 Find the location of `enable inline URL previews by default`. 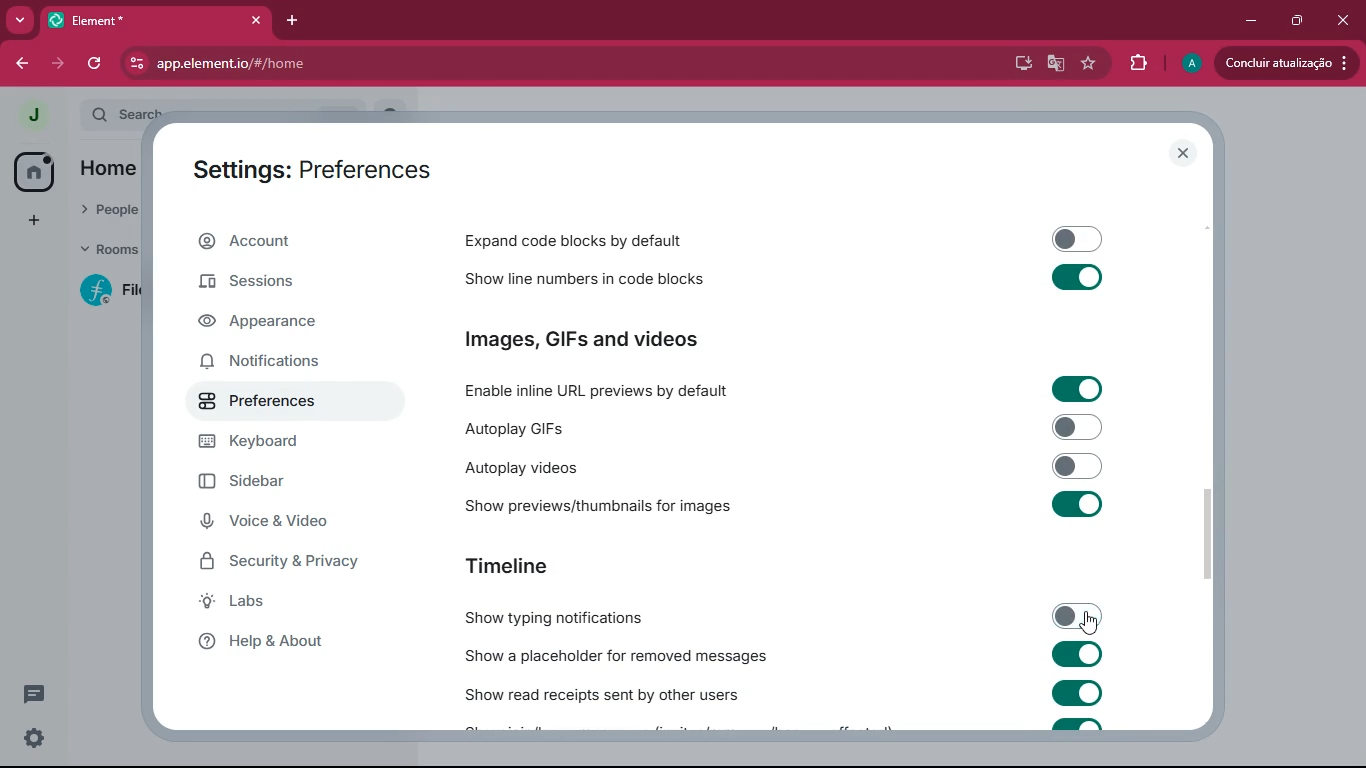

enable inline URL previews by default is located at coordinates (602, 387).